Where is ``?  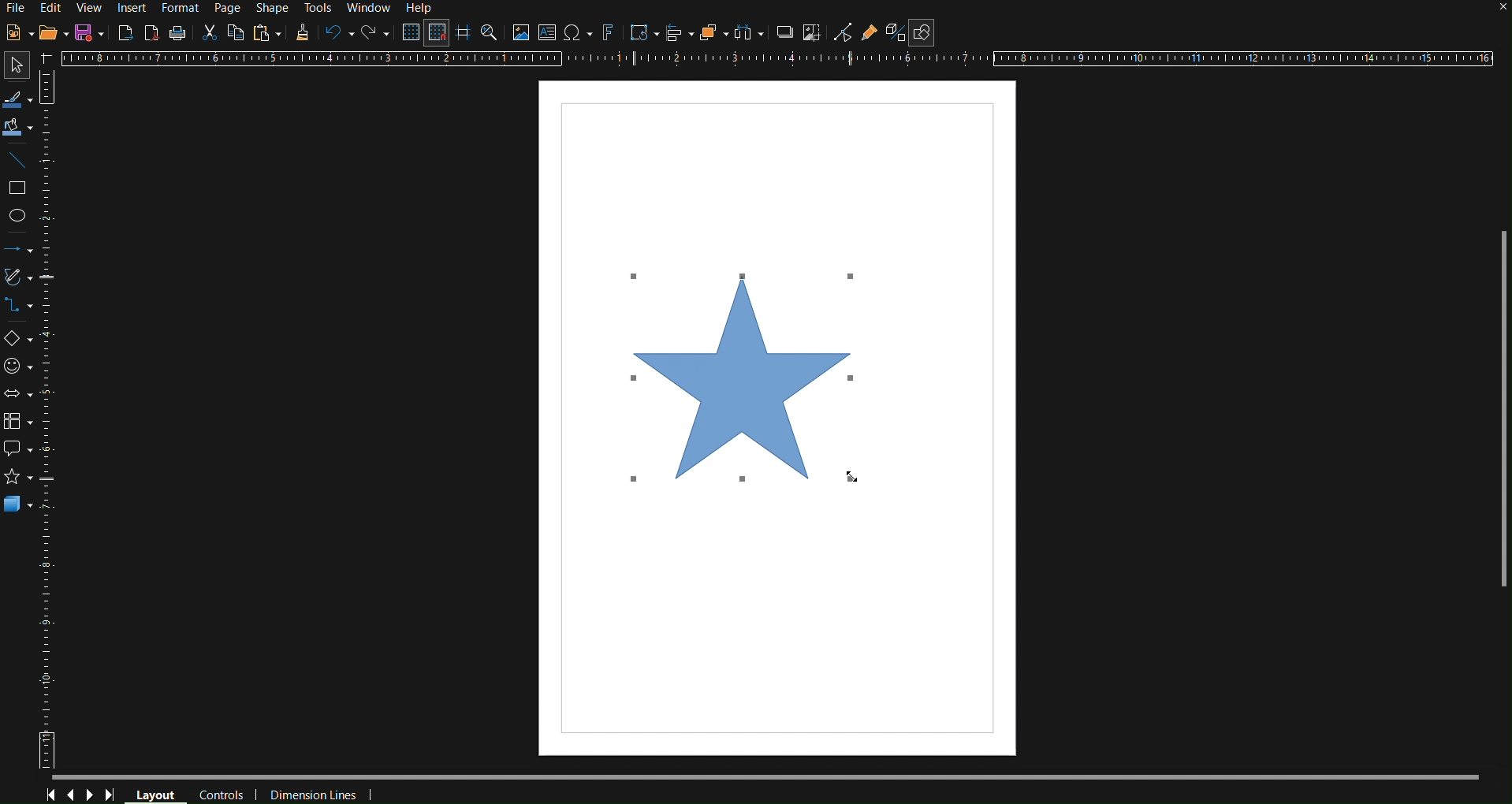  is located at coordinates (17, 66).